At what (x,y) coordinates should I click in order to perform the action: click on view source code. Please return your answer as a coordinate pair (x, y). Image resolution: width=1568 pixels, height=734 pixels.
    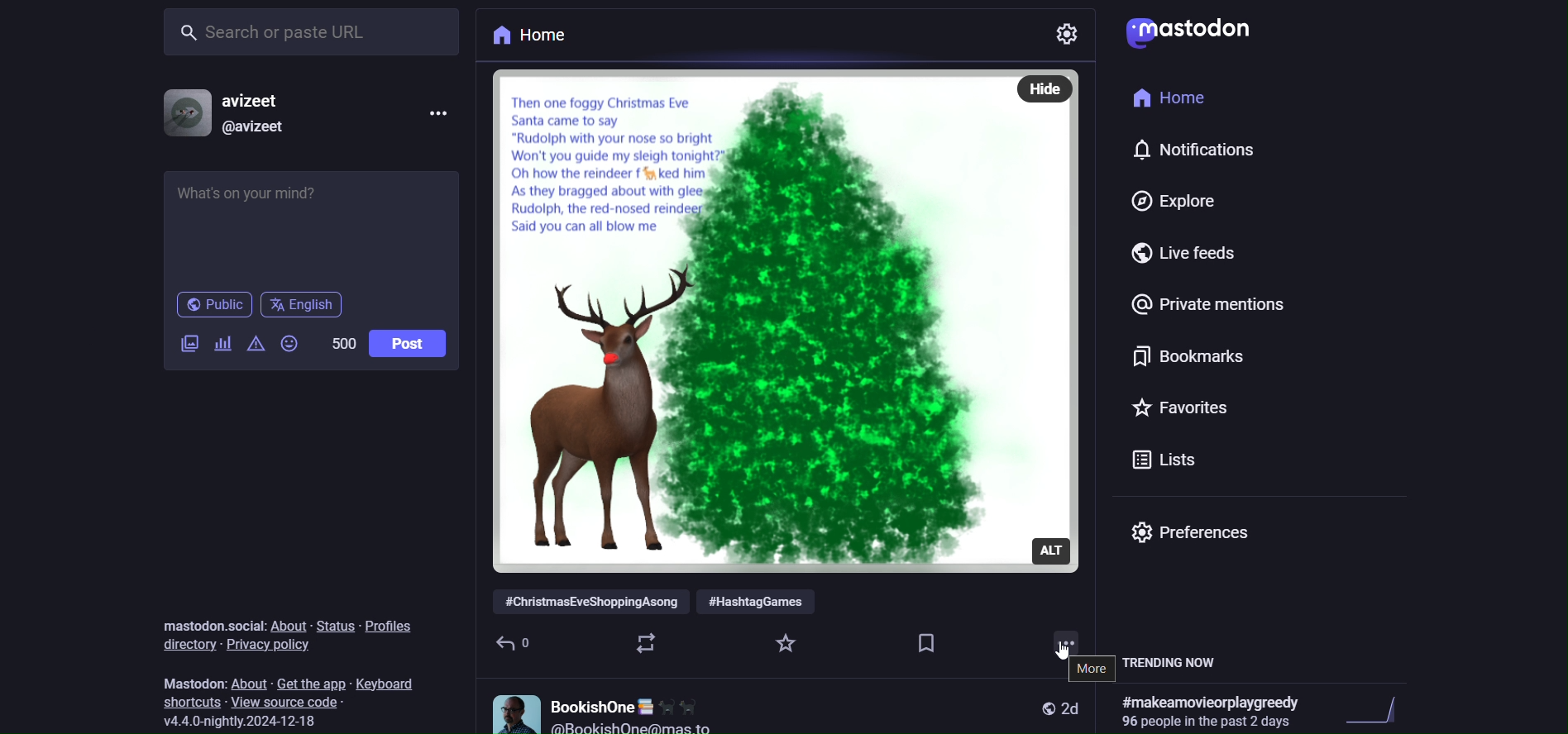
    Looking at the image, I should click on (292, 702).